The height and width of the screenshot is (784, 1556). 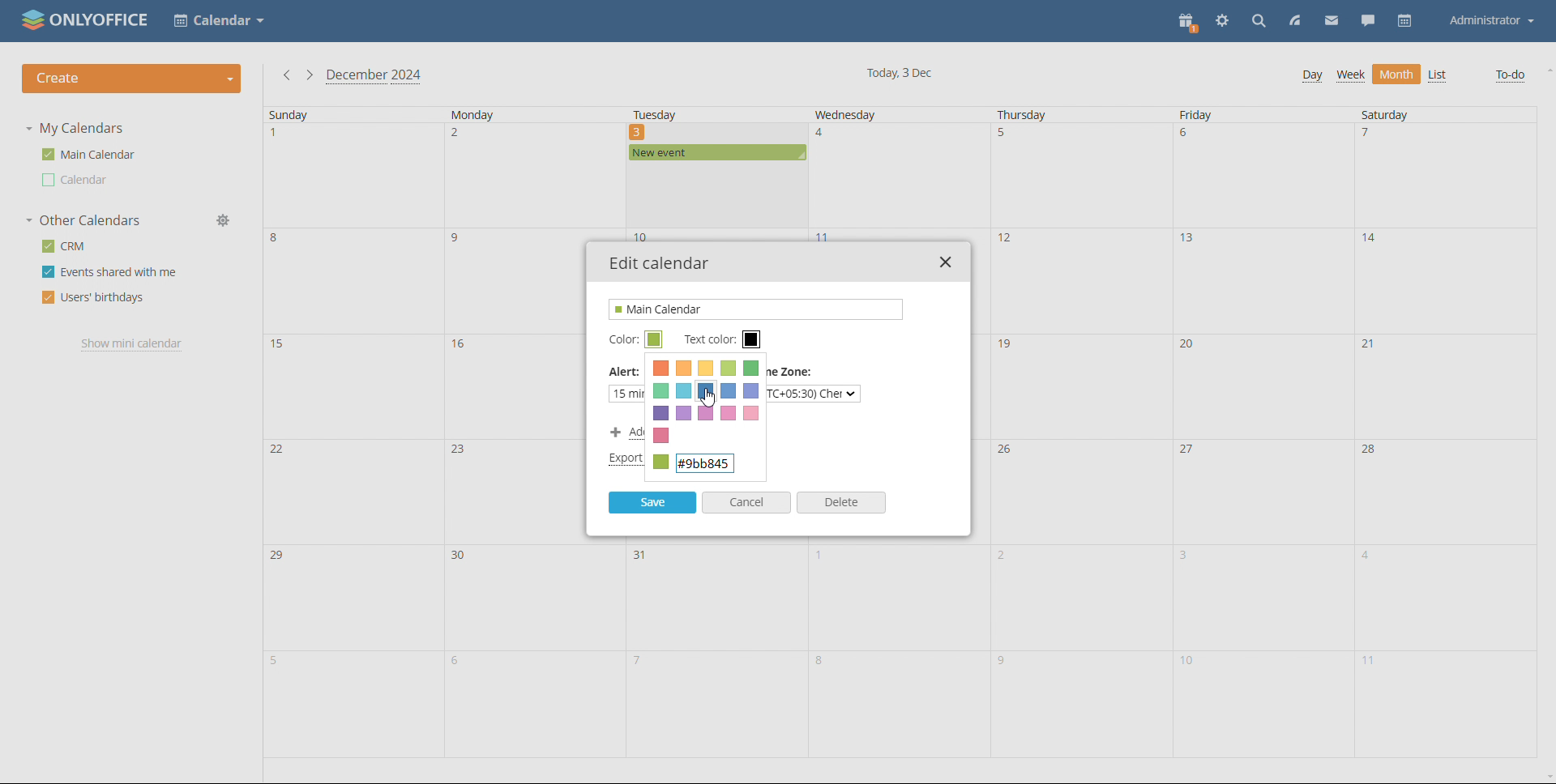 I want to click on thursday, so click(x=1037, y=115).